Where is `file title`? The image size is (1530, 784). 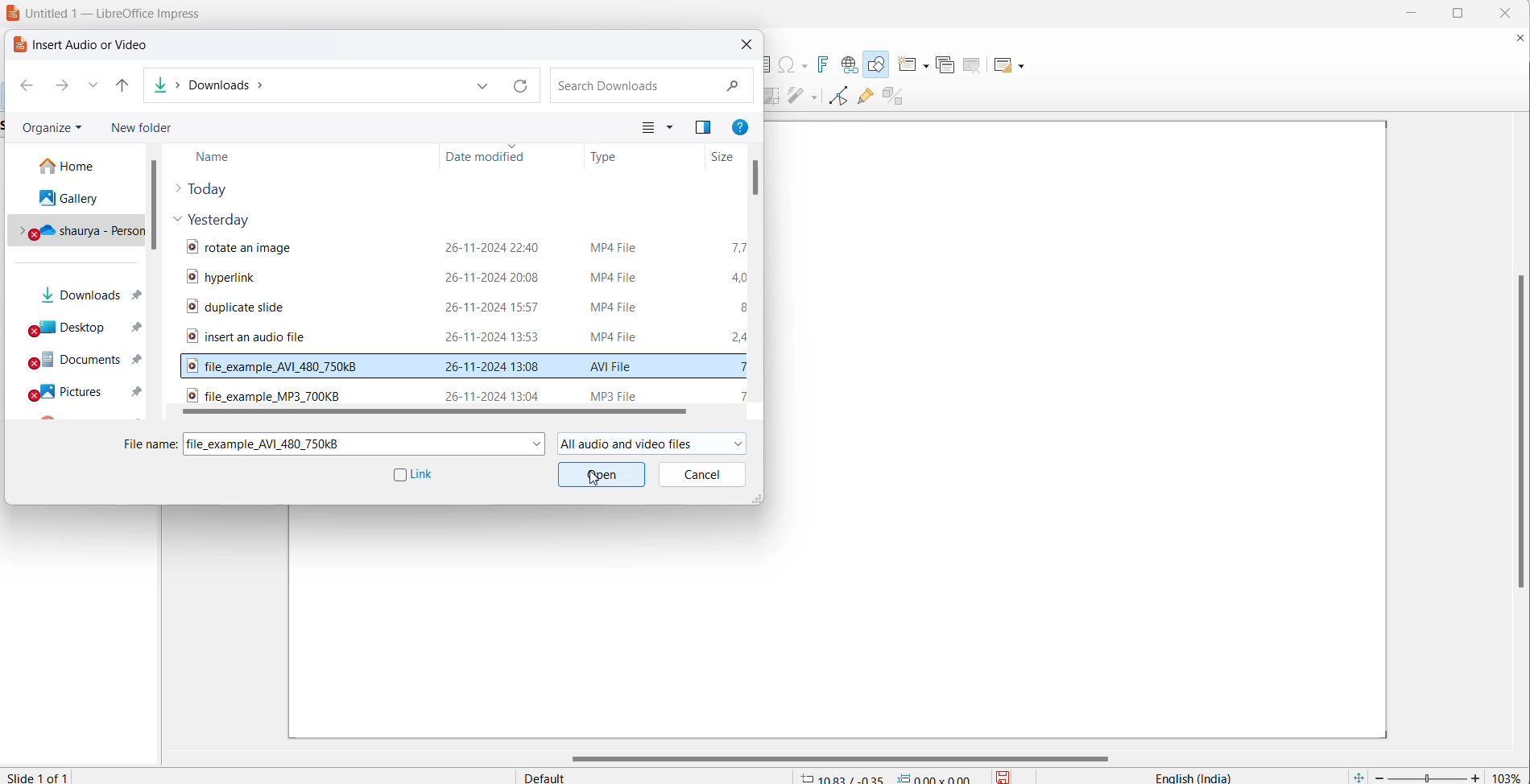 file title is located at coordinates (118, 14).